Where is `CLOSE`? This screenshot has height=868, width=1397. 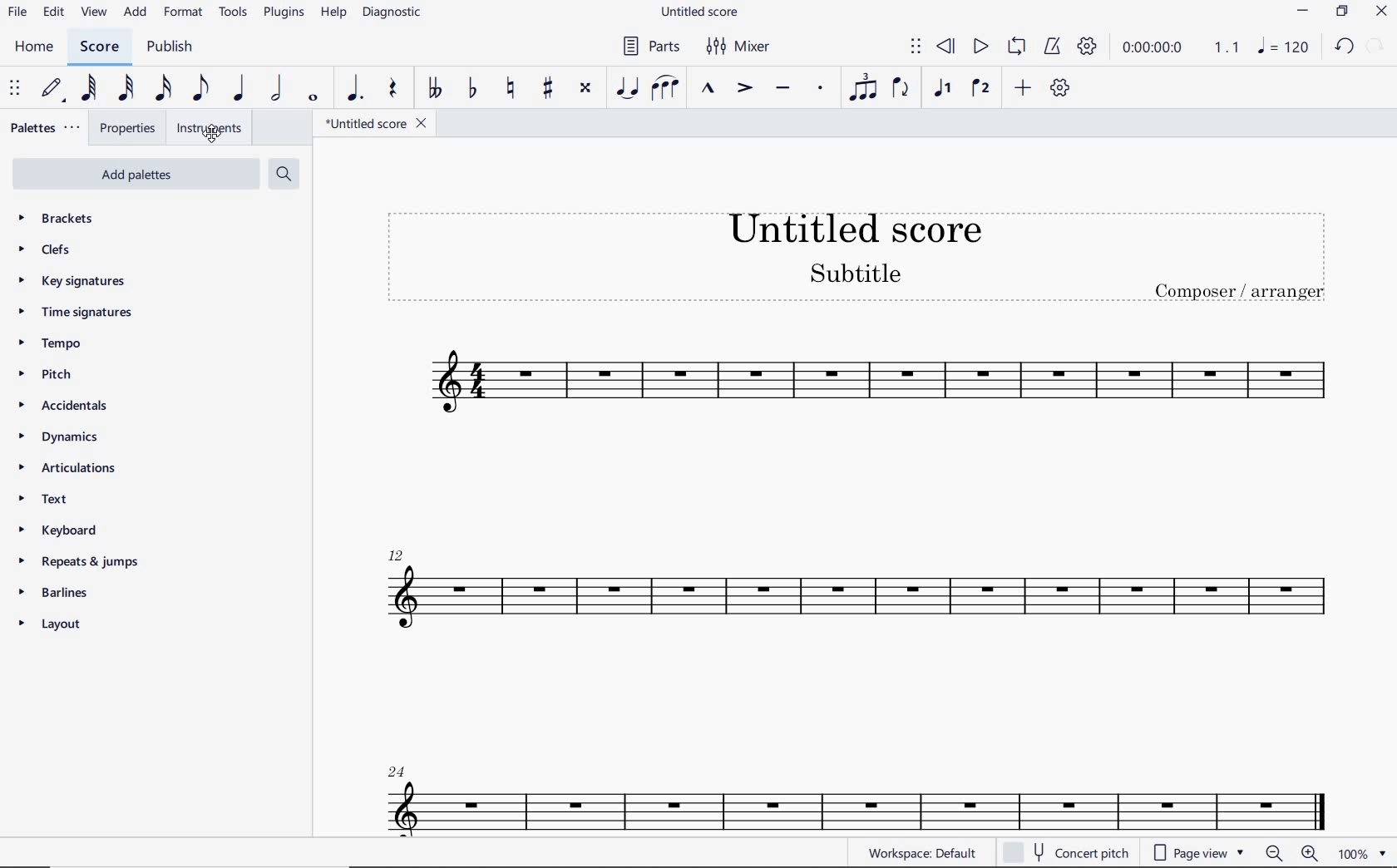
CLOSE is located at coordinates (1381, 12).